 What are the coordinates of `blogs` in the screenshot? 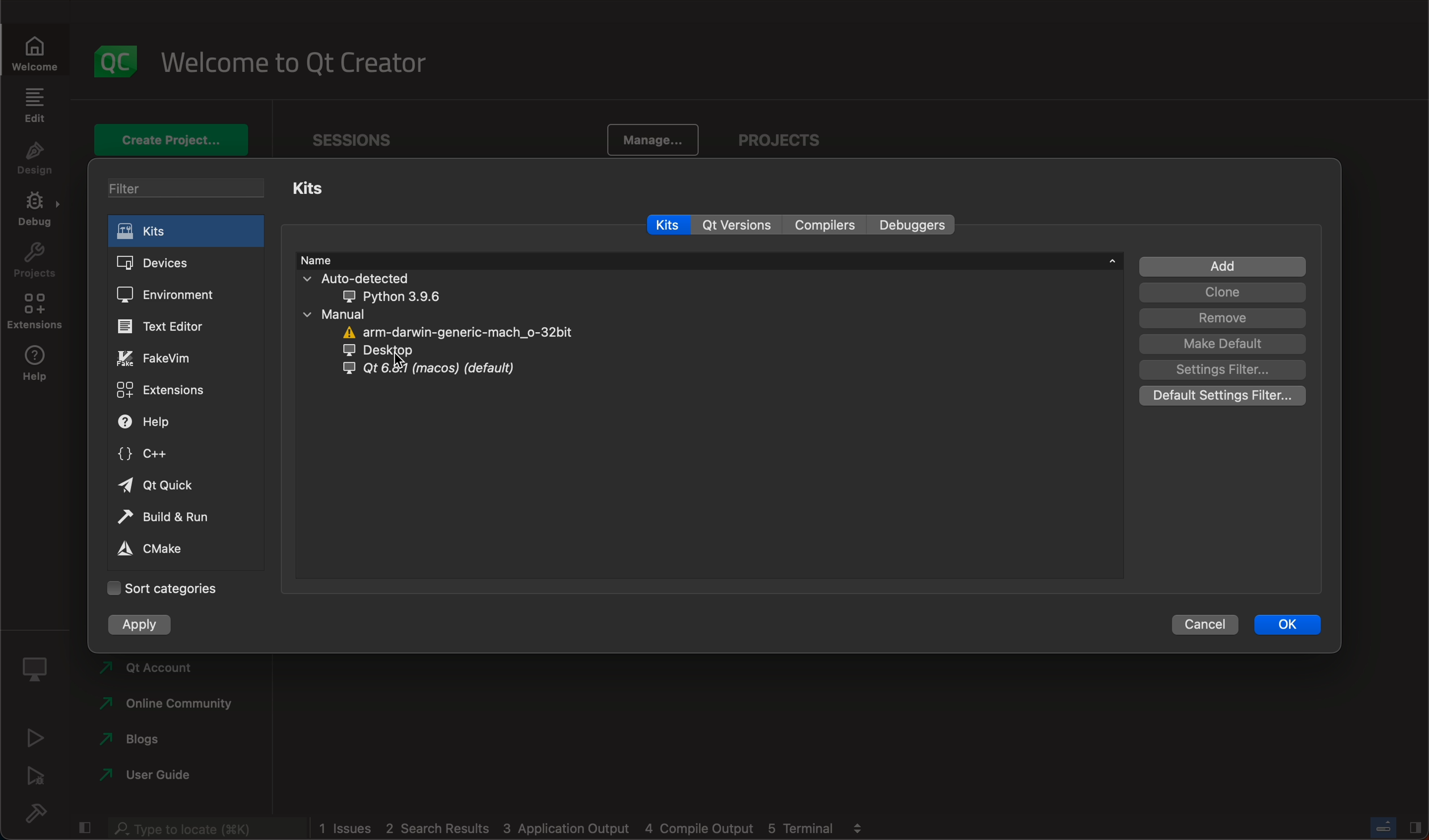 It's located at (134, 739).